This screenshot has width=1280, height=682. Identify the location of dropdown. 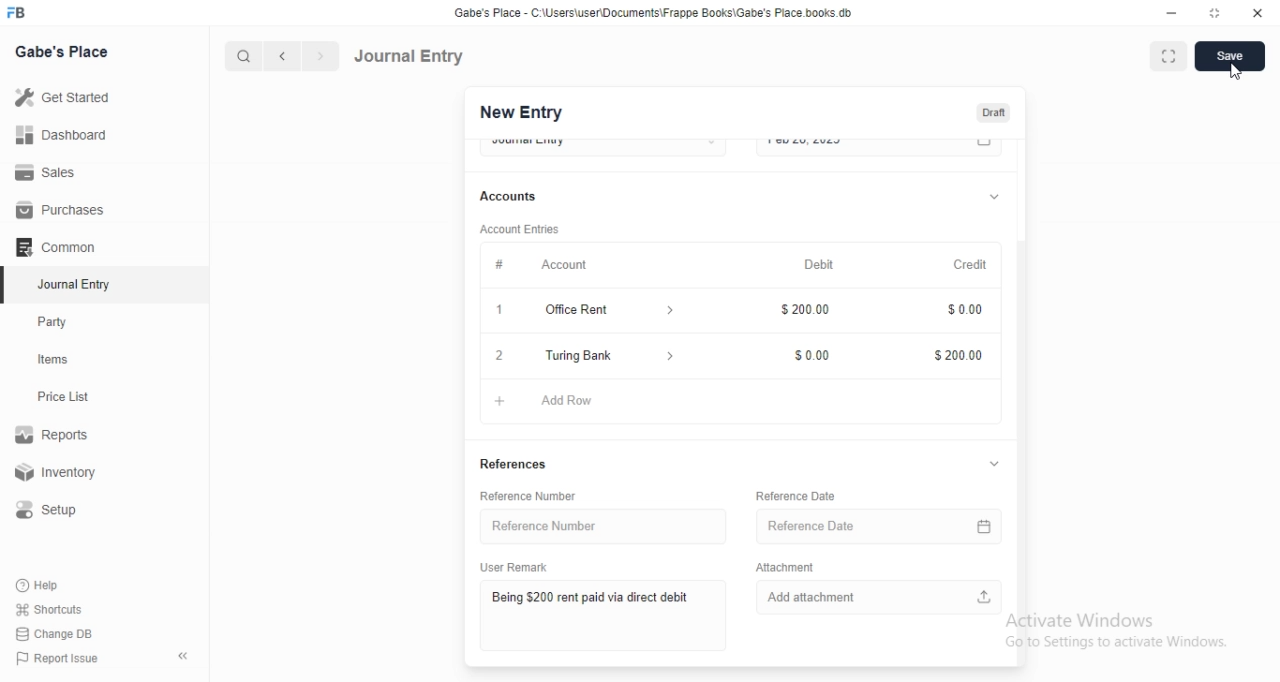
(992, 195).